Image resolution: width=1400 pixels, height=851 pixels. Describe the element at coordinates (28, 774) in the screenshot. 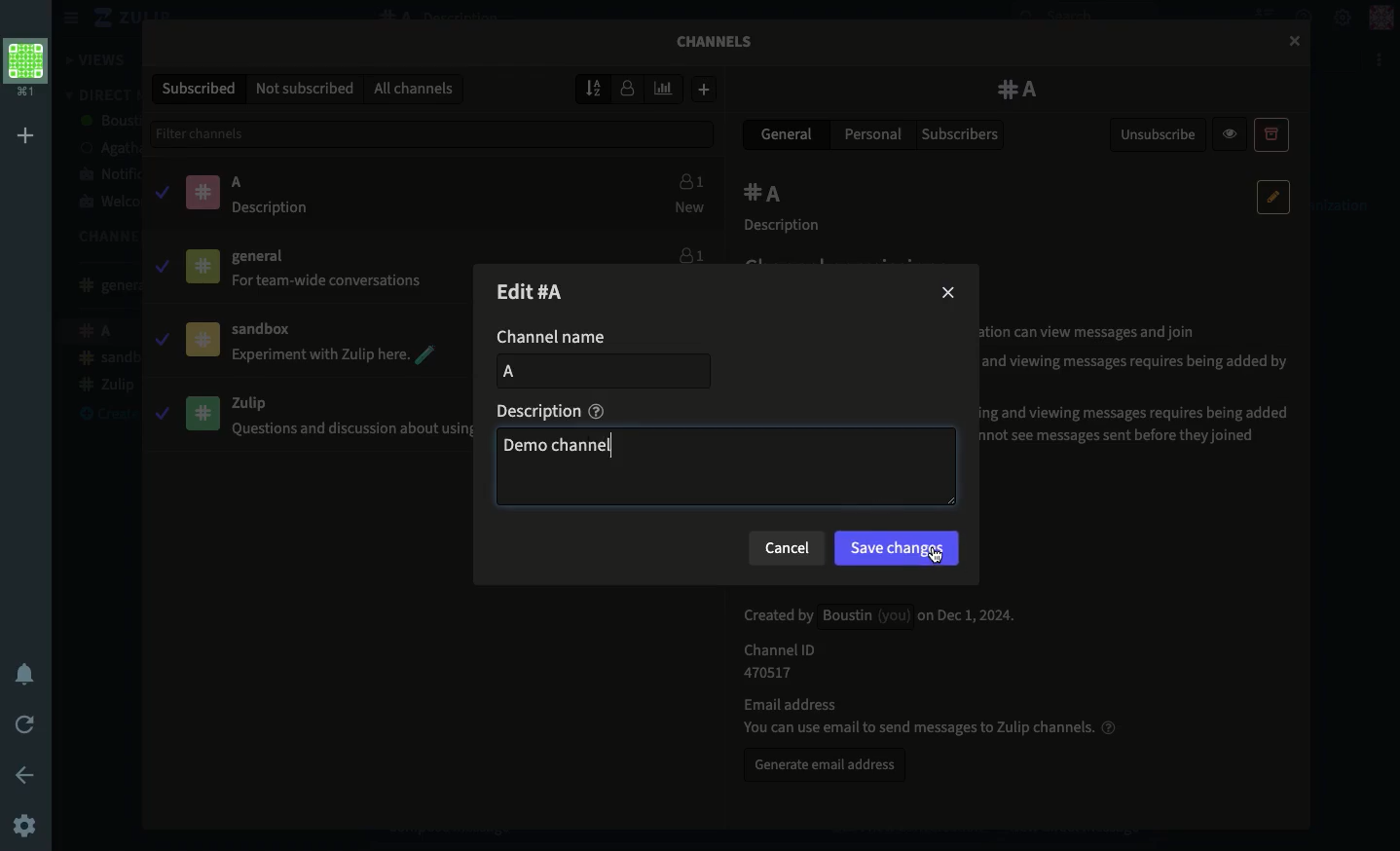

I see `Back` at that location.